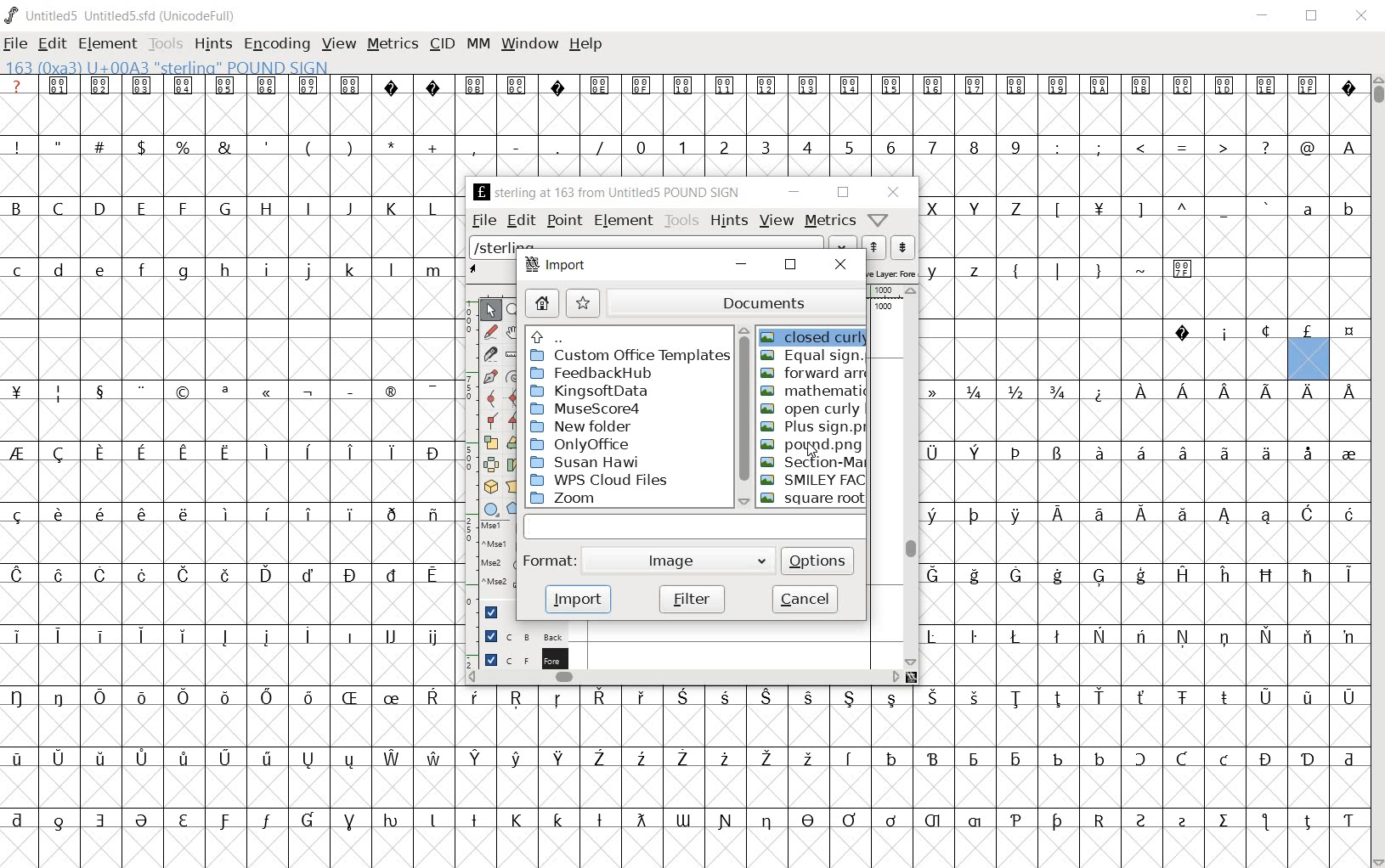  Describe the element at coordinates (851, 759) in the screenshot. I see `Symbol` at that location.